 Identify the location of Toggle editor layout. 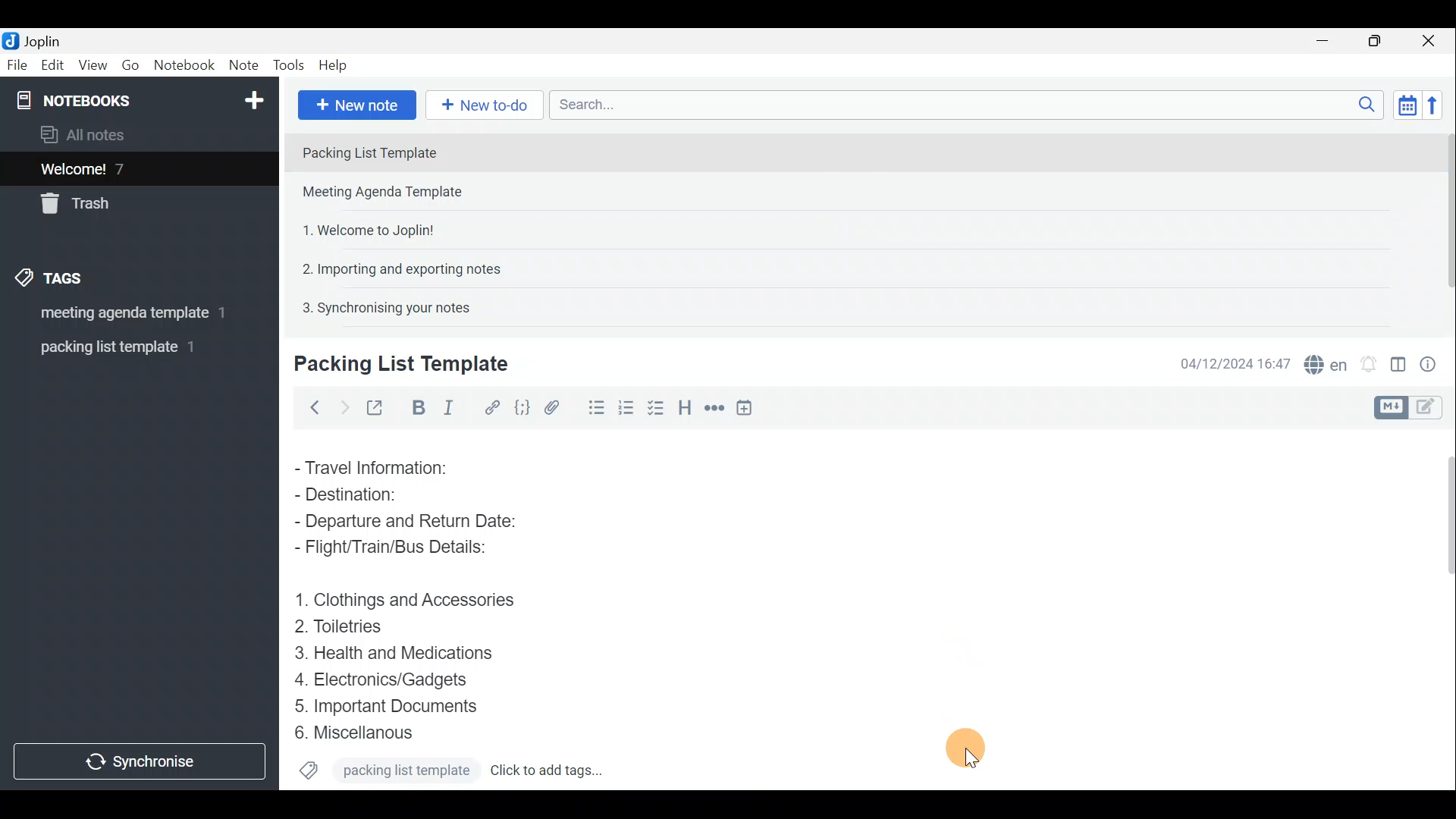
(1398, 359).